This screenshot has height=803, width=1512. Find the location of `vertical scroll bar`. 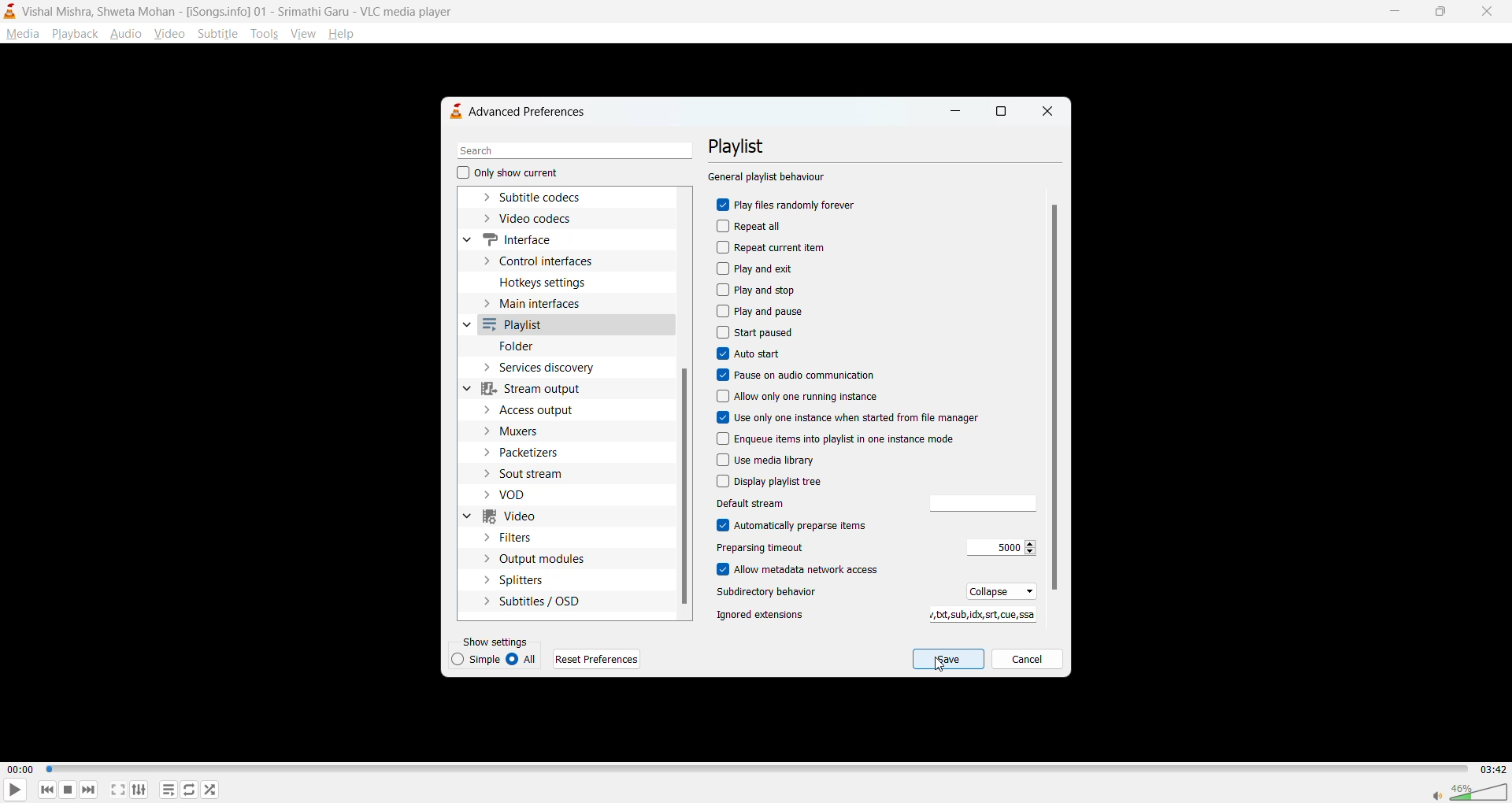

vertical scroll bar is located at coordinates (685, 487).